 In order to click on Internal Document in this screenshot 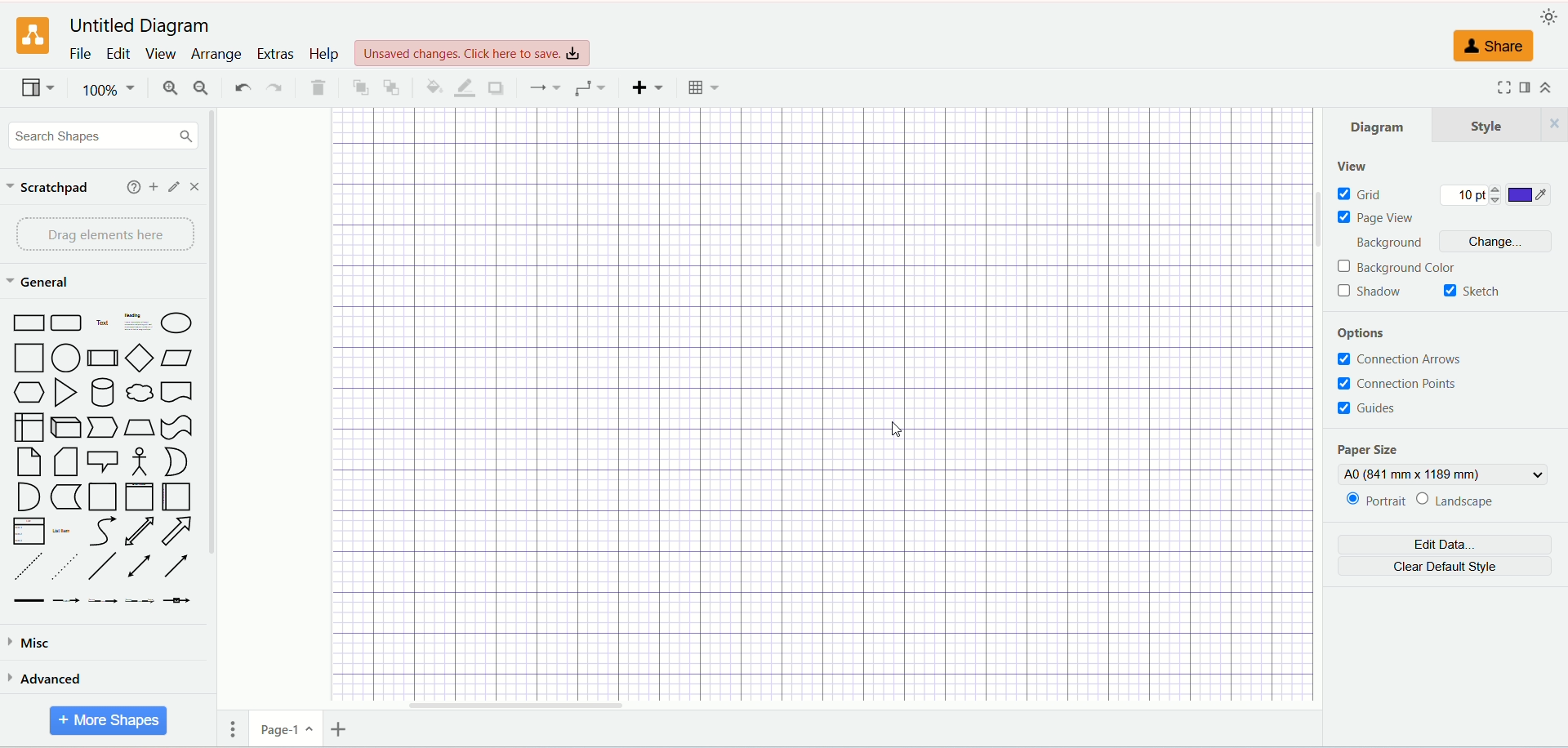, I will do `click(29, 426)`.